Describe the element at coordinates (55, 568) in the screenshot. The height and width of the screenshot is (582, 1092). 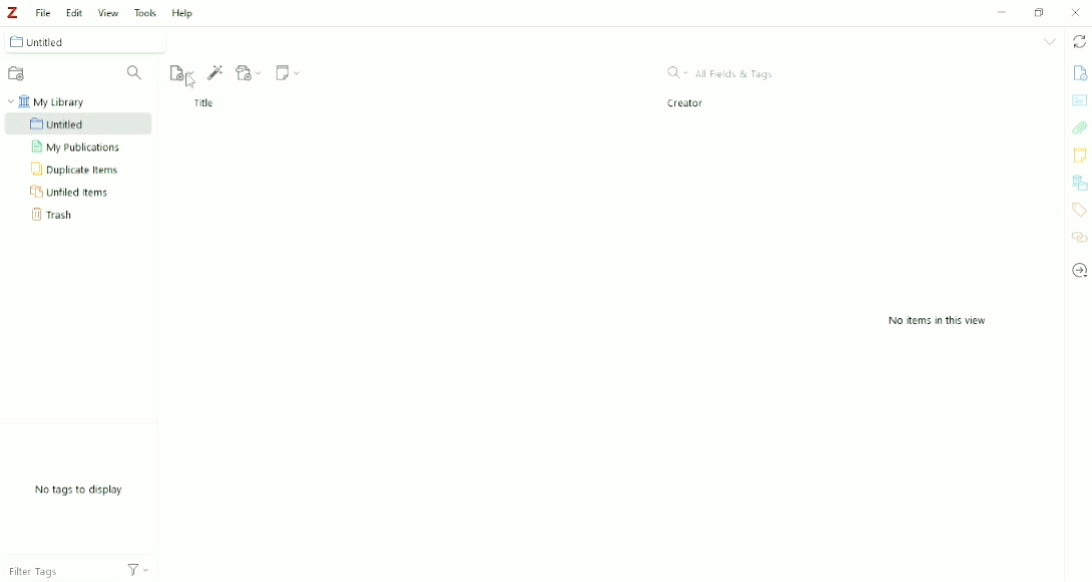
I see `Filter Tags` at that location.